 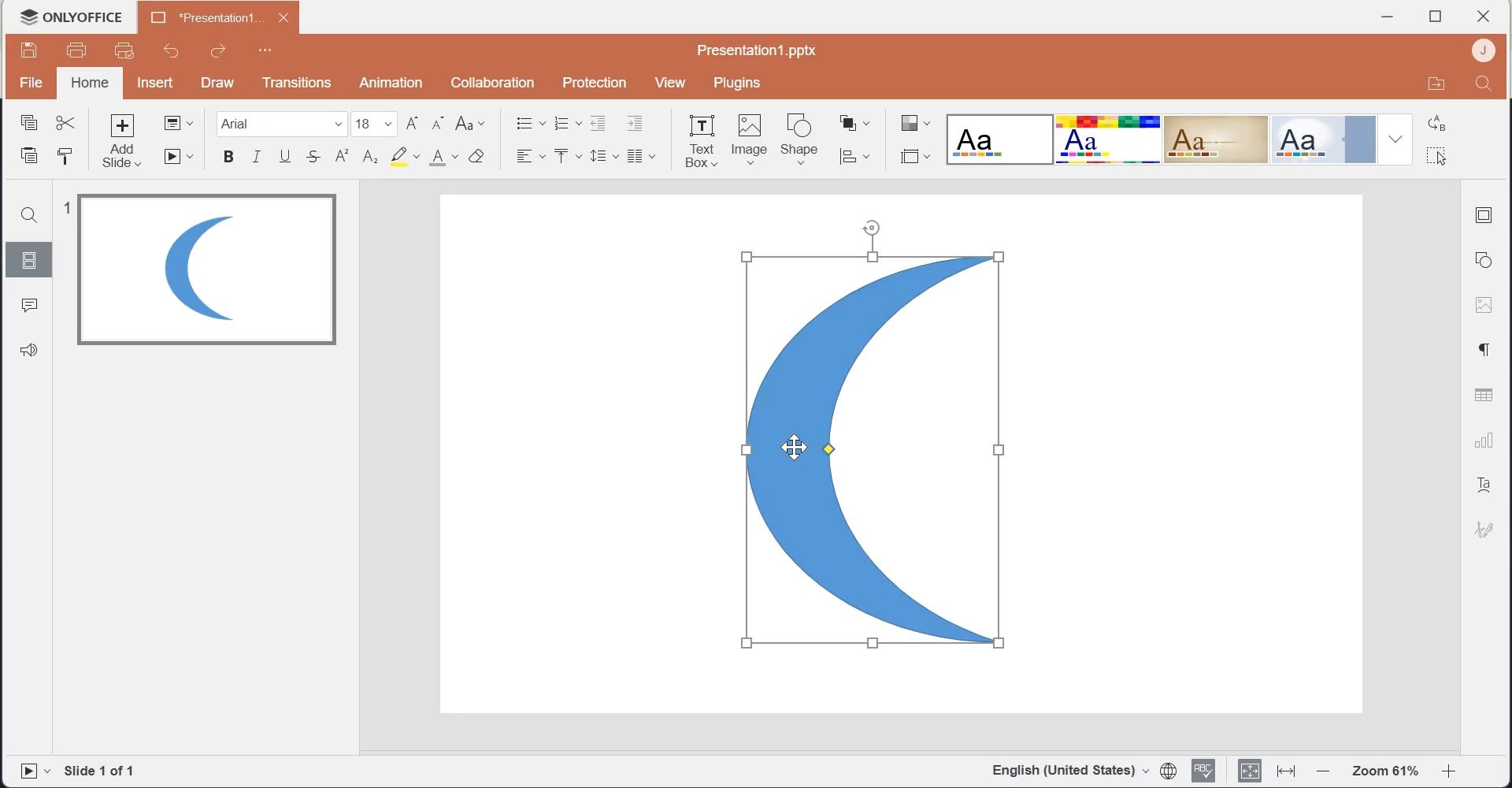 I want to click on Image, so click(x=1485, y=307).